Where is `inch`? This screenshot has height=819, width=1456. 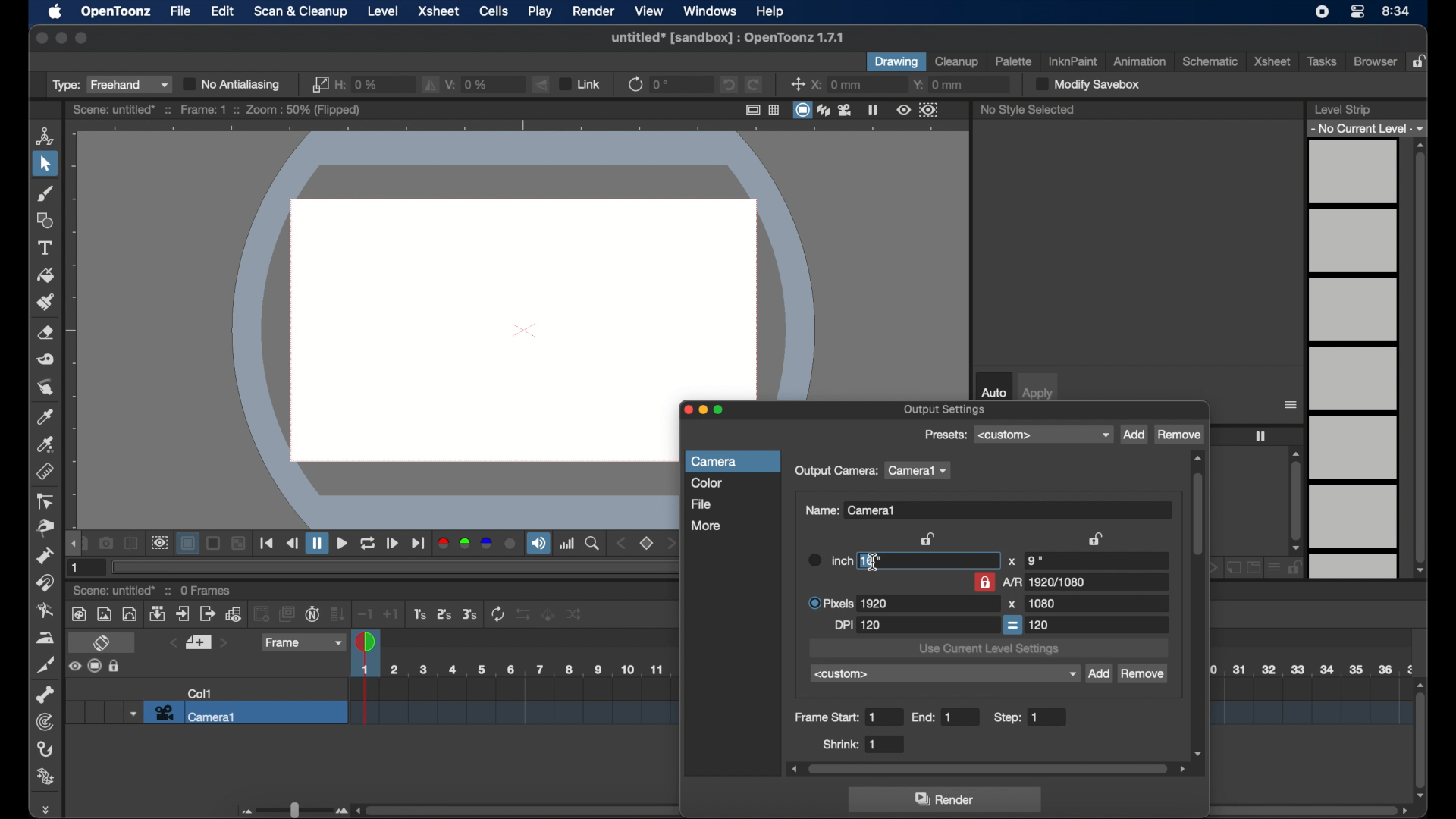
inch is located at coordinates (828, 560).